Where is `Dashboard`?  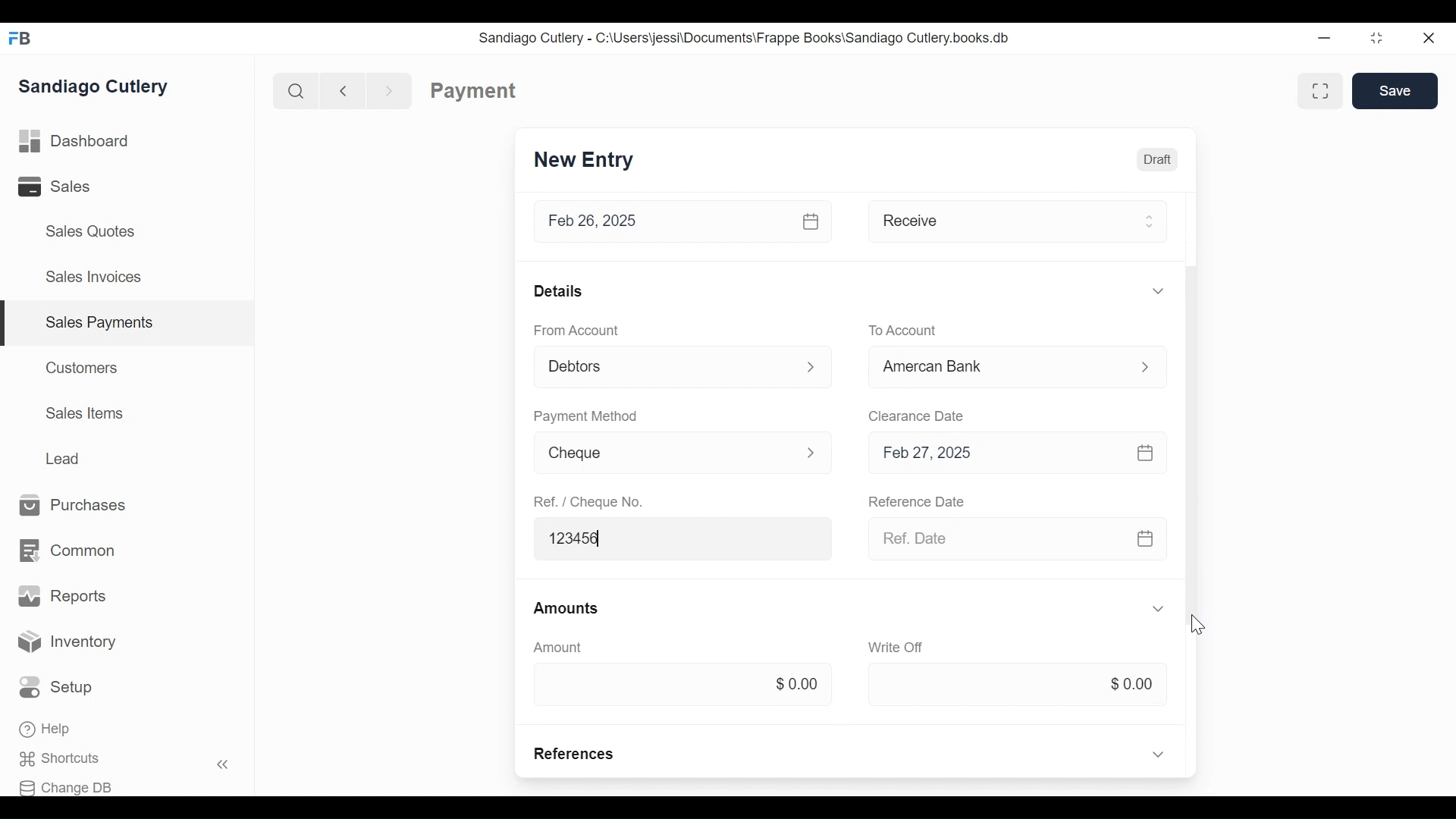
Dashboard is located at coordinates (74, 142).